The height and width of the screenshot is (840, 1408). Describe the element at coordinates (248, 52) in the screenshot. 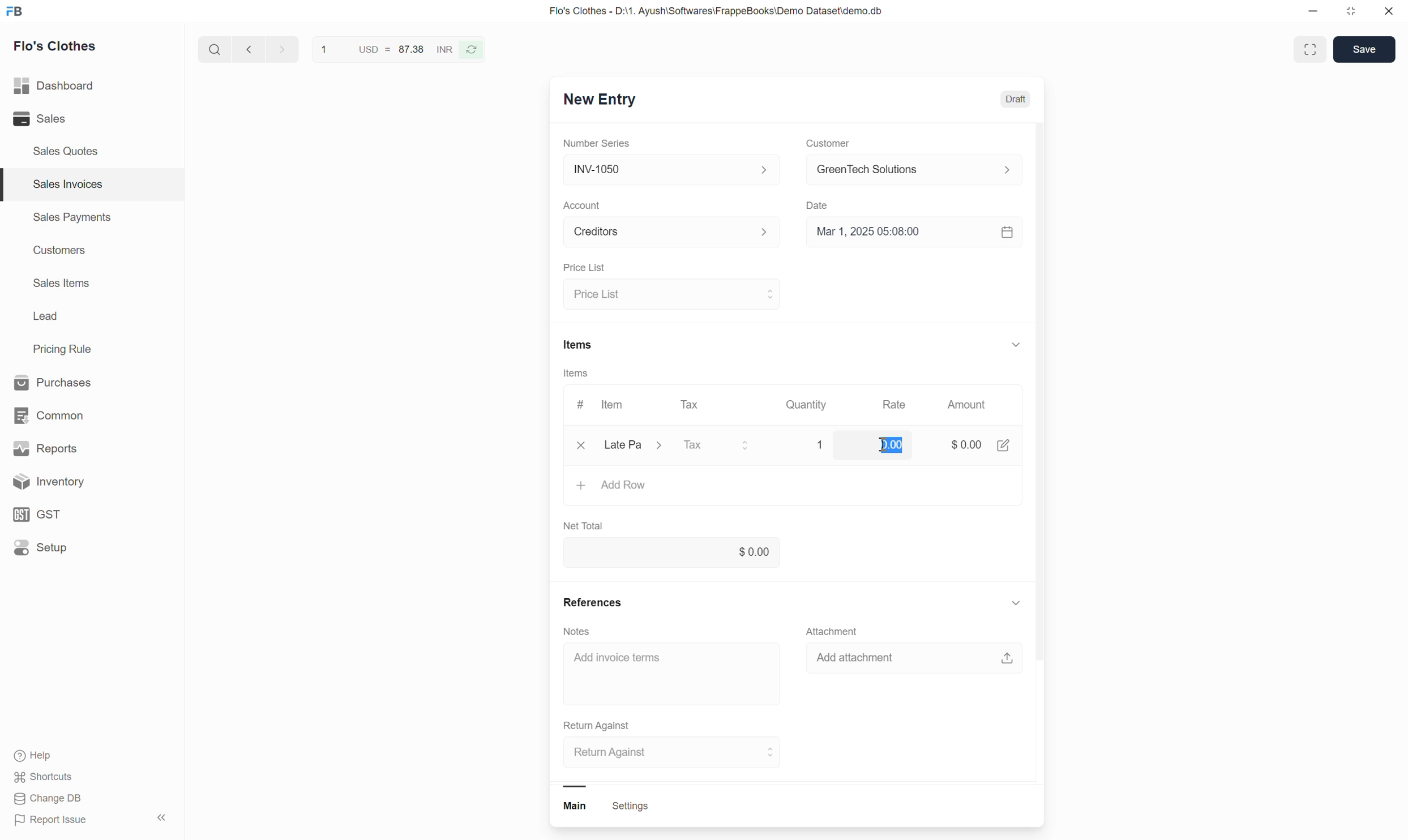

I see `go back ` at that location.